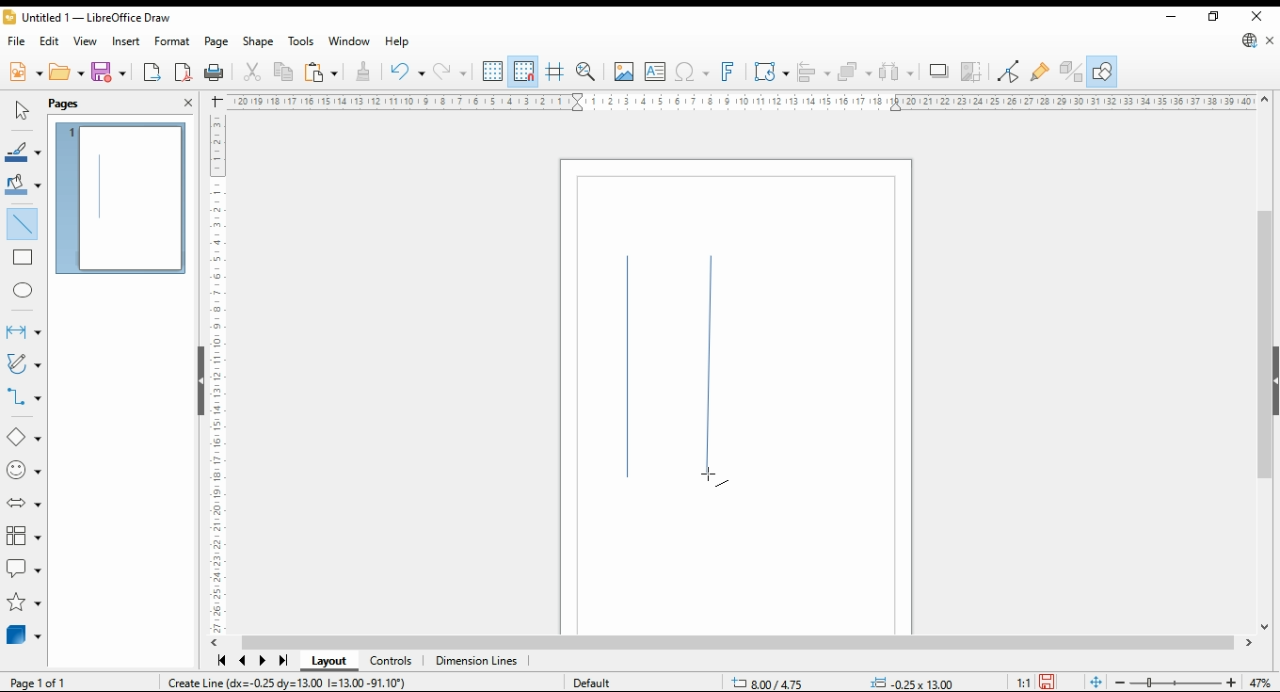  I want to click on block arrows, so click(24, 503).